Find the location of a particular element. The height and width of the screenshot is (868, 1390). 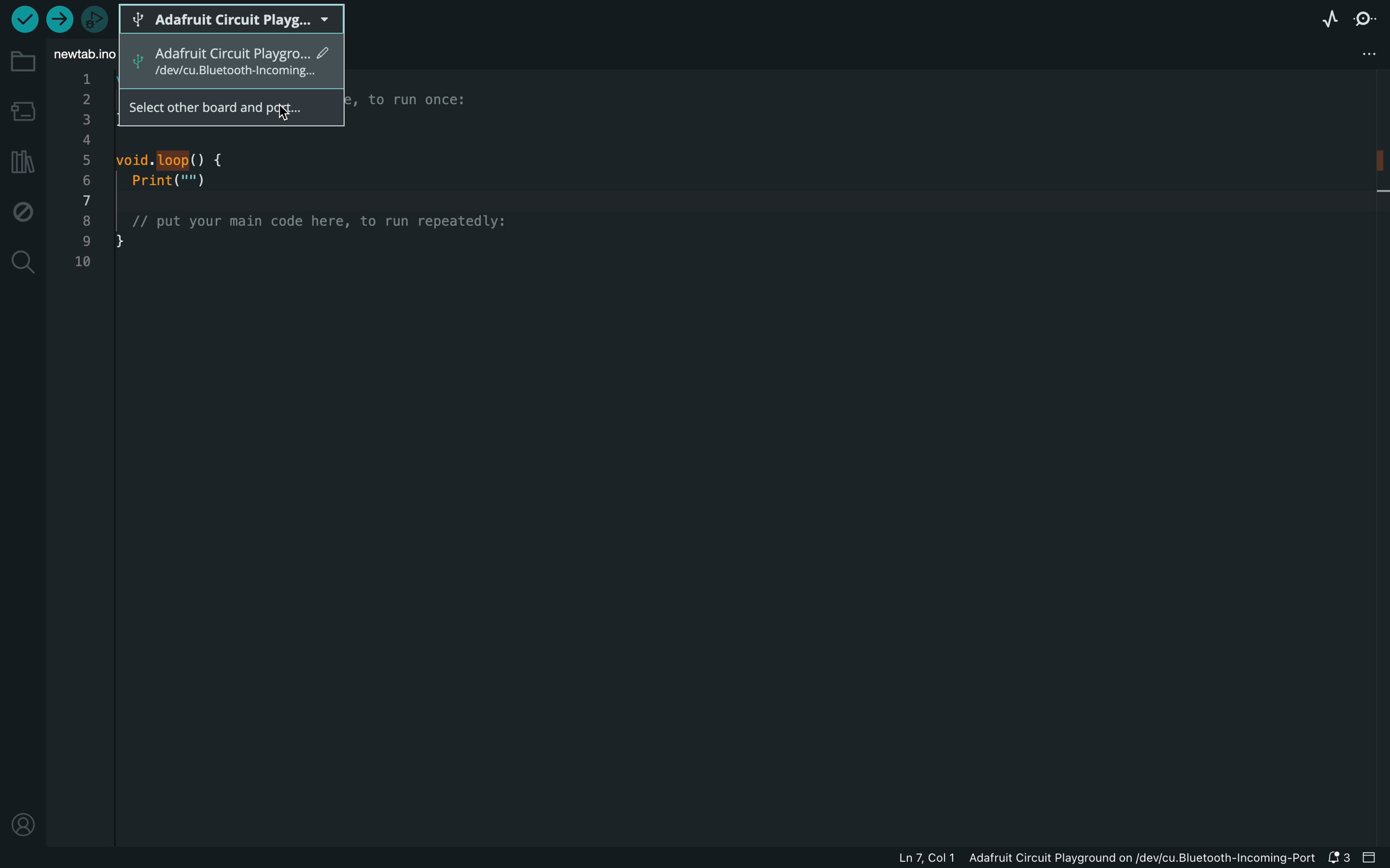

file information is located at coordinates (1079, 859).